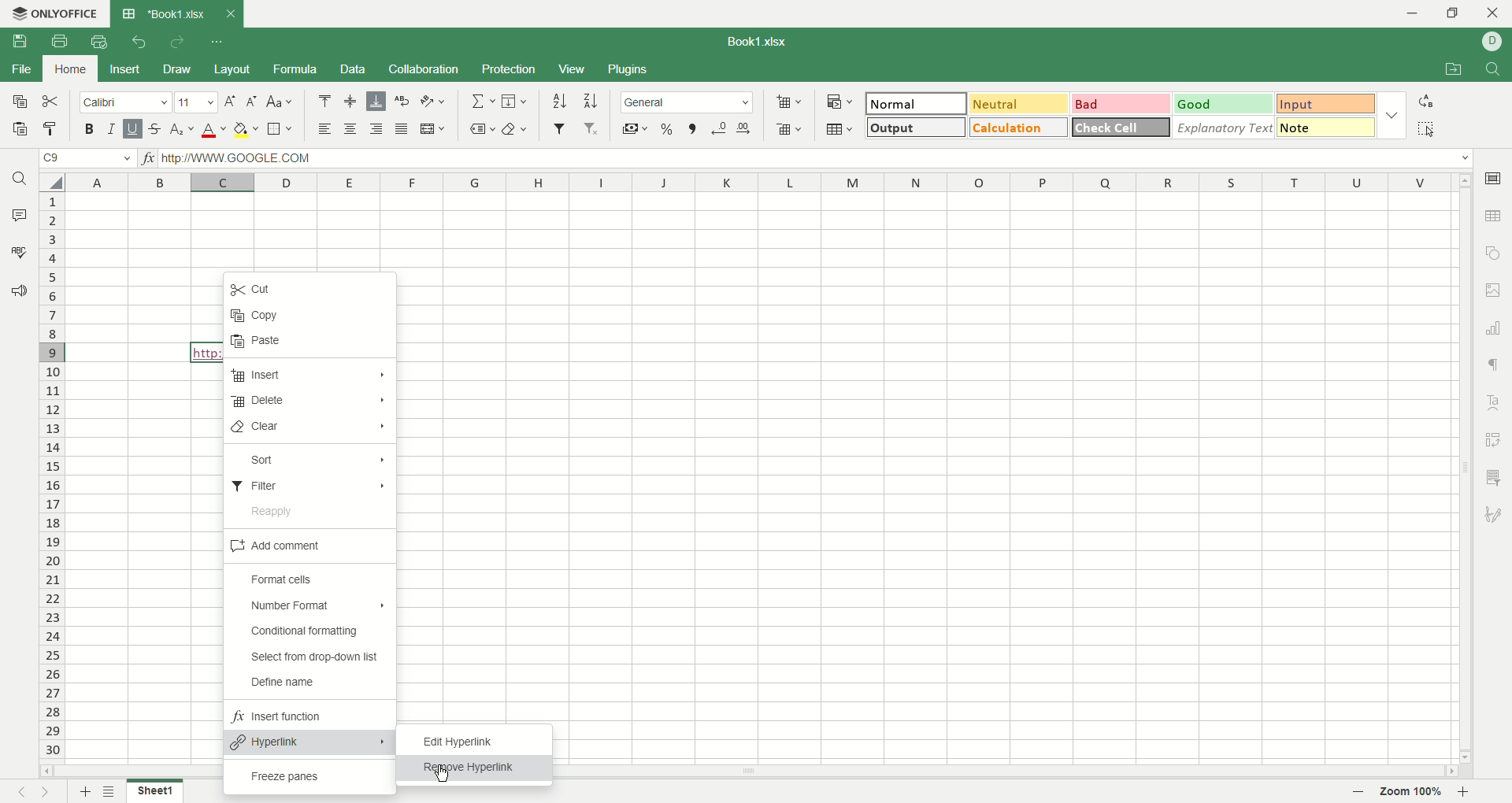  What do you see at coordinates (310, 461) in the screenshot?
I see `sort` at bounding box center [310, 461].